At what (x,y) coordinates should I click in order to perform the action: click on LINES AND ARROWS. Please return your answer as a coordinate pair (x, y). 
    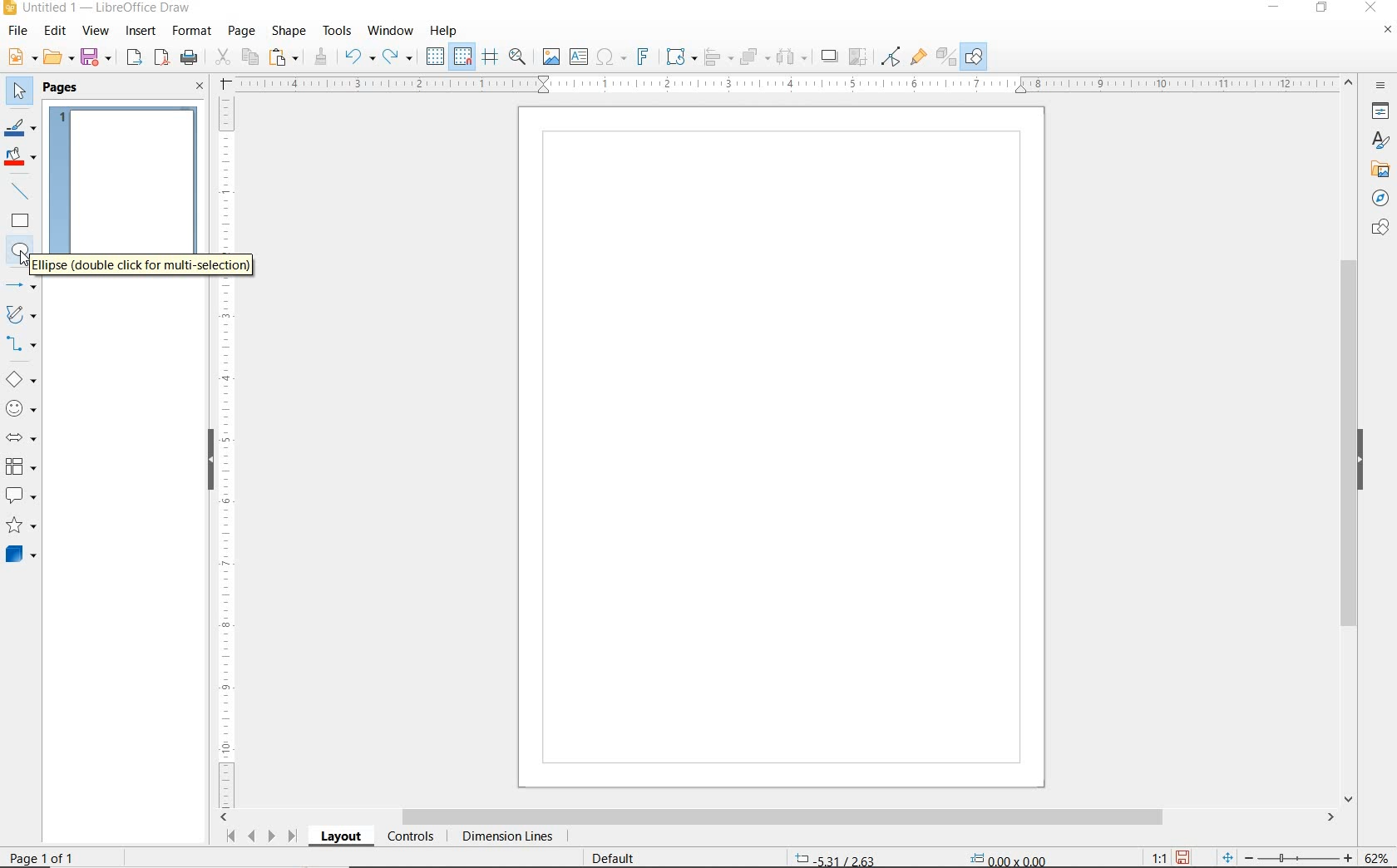
    Looking at the image, I should click on (22, 287).